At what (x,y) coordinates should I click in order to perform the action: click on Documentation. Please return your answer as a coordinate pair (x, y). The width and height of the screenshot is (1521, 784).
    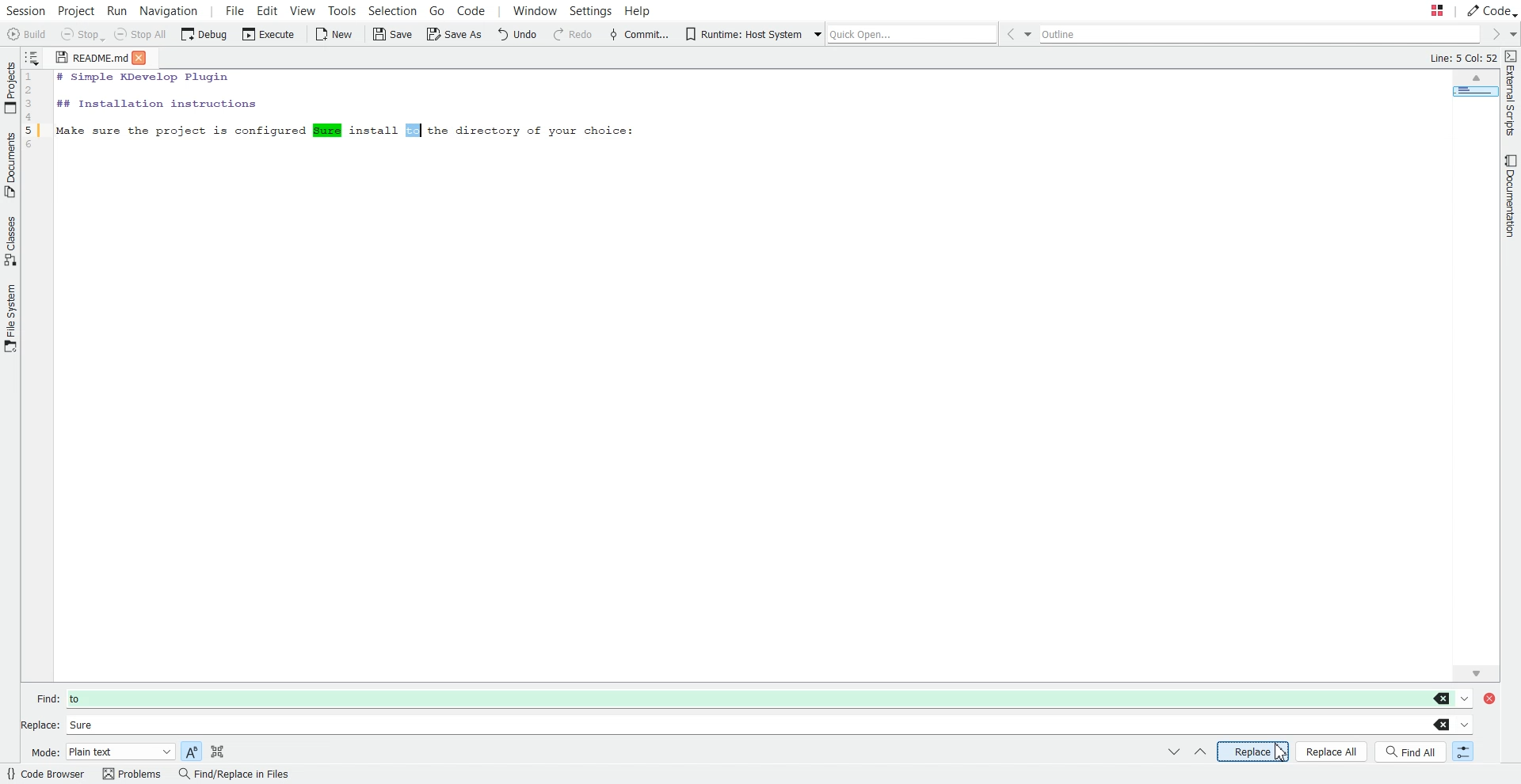
    Looking at the image, I should click on (1507, 197).